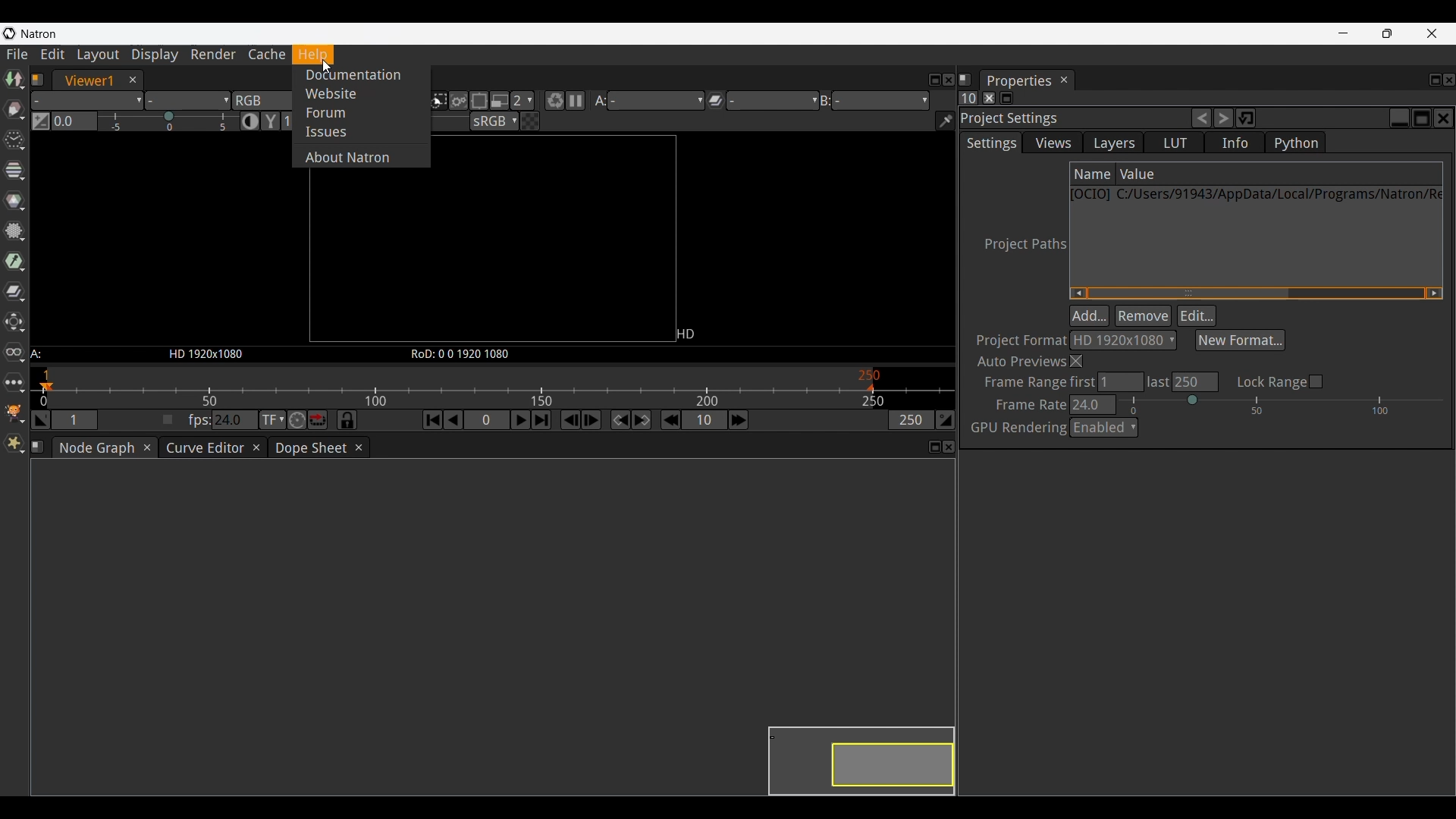 Image resolution: width=1456 pixels, height=819 pixels. Describe the element at coordinates (521, 419) in the screenshot. I see `Play forward` at that location.